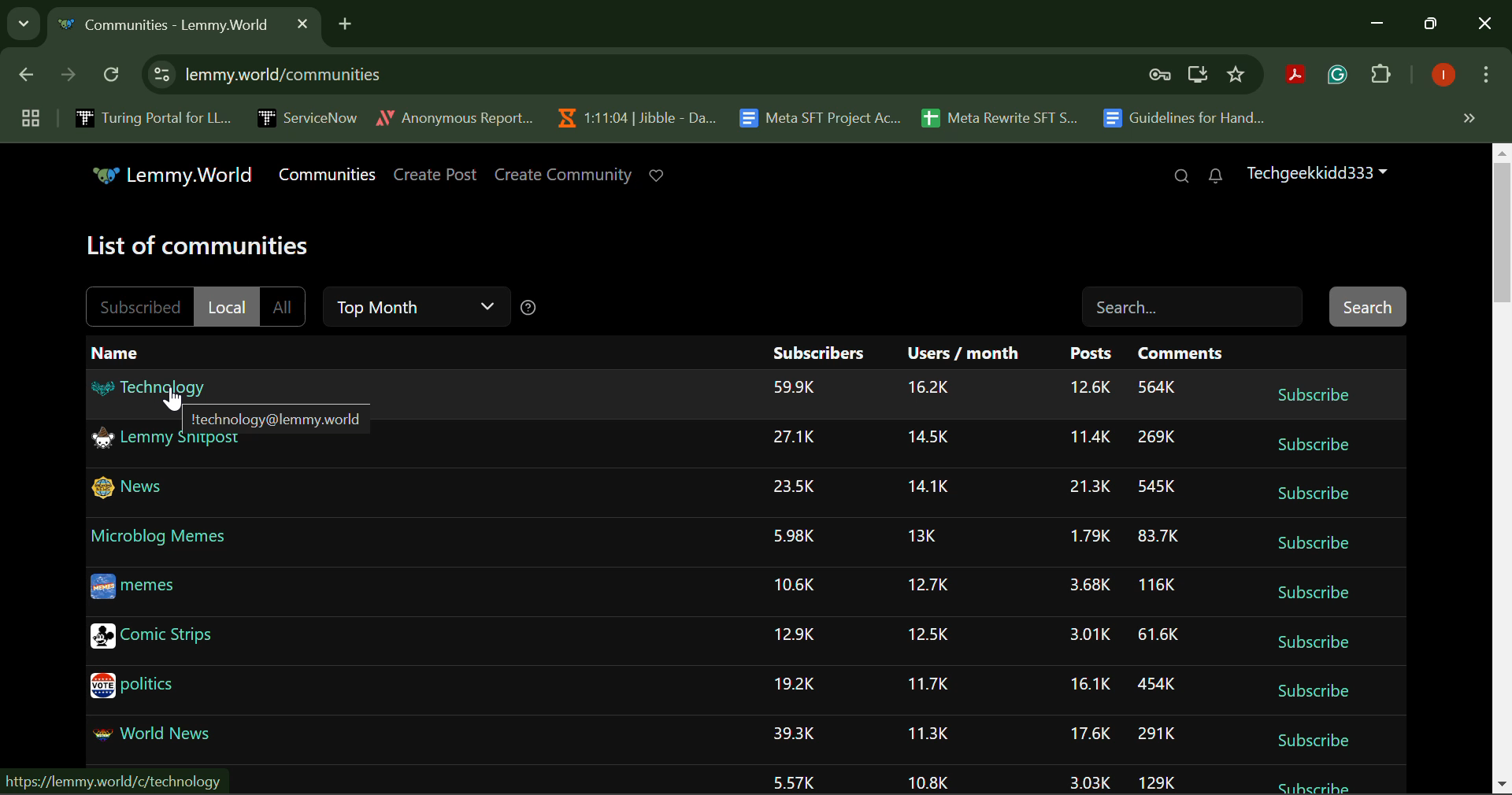 The image size is (1512, 795). What do you see at coordinates (822, 116) in the screenshot?
I see `Meta SFT Project` at bounding box center [822, 116].